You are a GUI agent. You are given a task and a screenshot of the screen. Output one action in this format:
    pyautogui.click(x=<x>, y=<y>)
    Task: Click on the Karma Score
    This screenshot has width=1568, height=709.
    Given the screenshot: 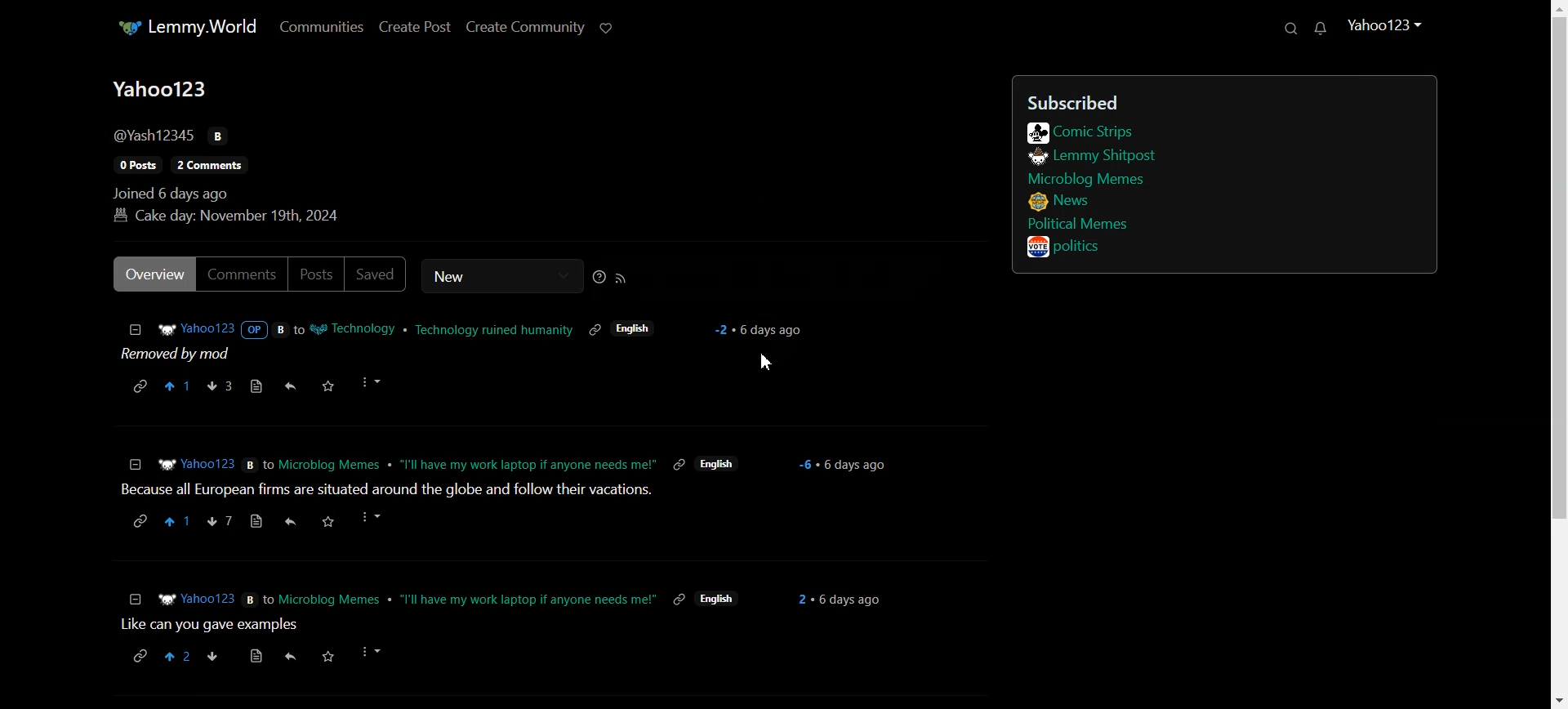 What is the action you would take?
    pyautogui.click(x=758, y=330)
    